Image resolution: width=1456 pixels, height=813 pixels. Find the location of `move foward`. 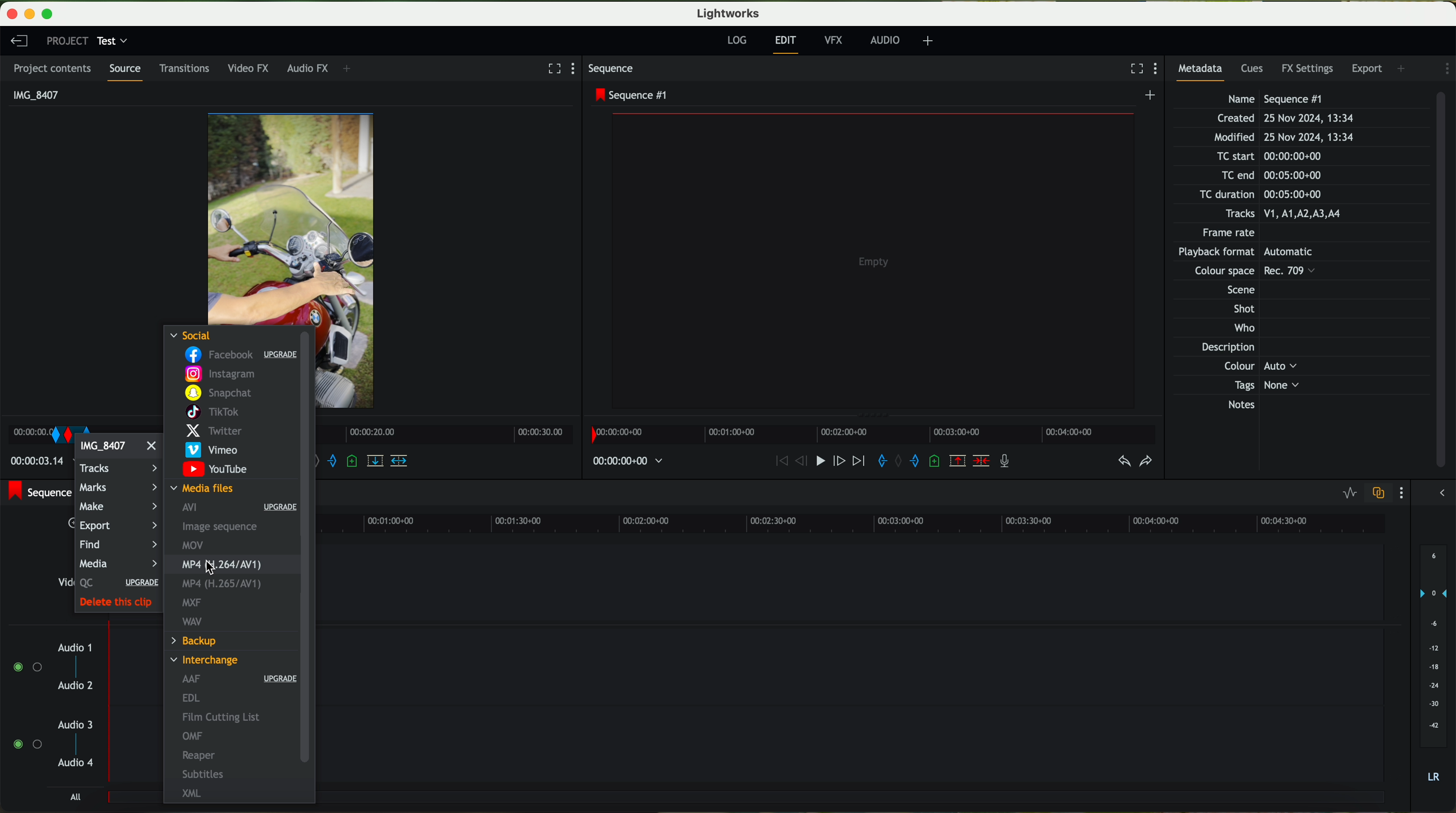

move foward is located at coordinates (856, 462).